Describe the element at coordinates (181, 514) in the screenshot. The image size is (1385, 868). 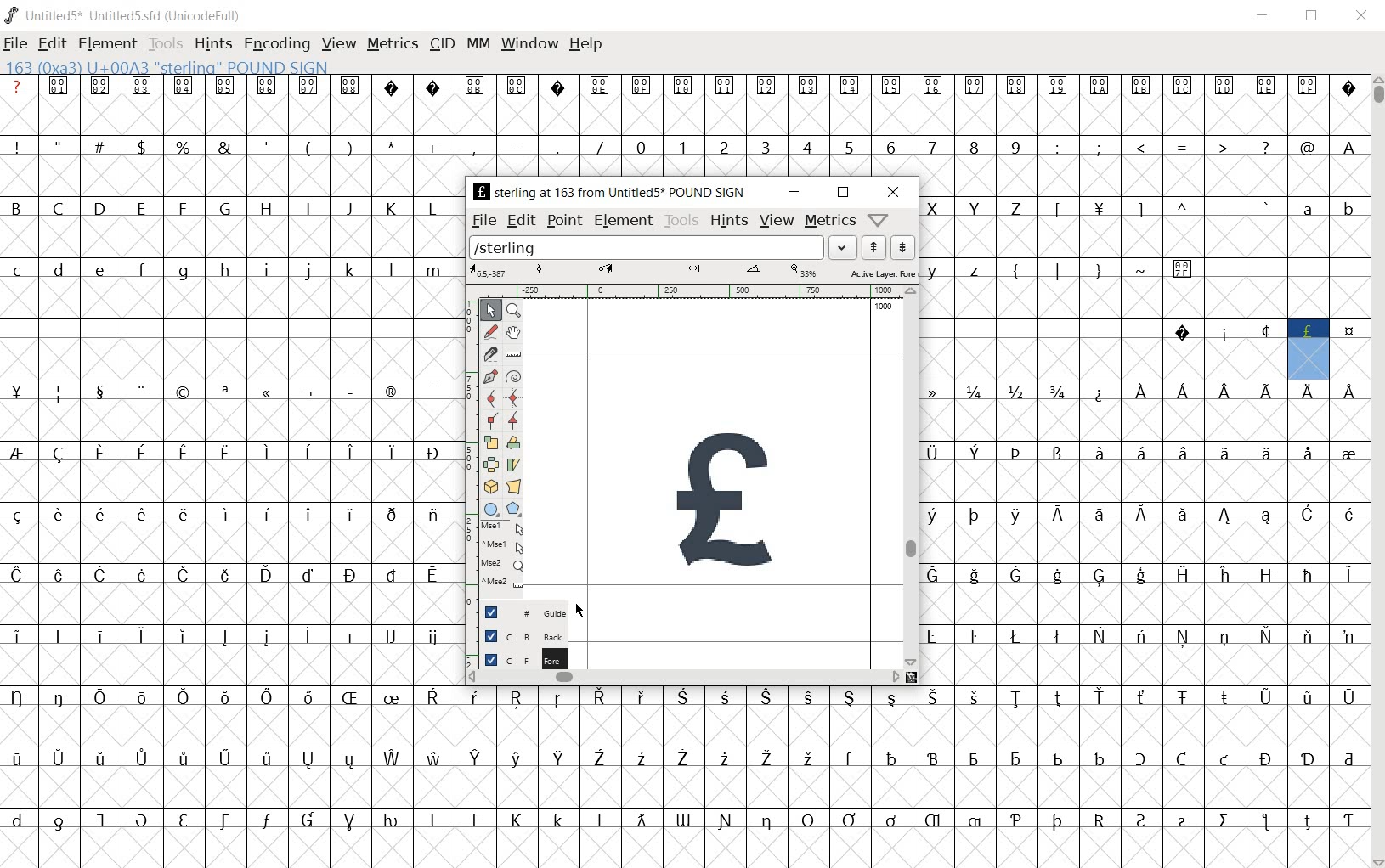
I see `` at that location.